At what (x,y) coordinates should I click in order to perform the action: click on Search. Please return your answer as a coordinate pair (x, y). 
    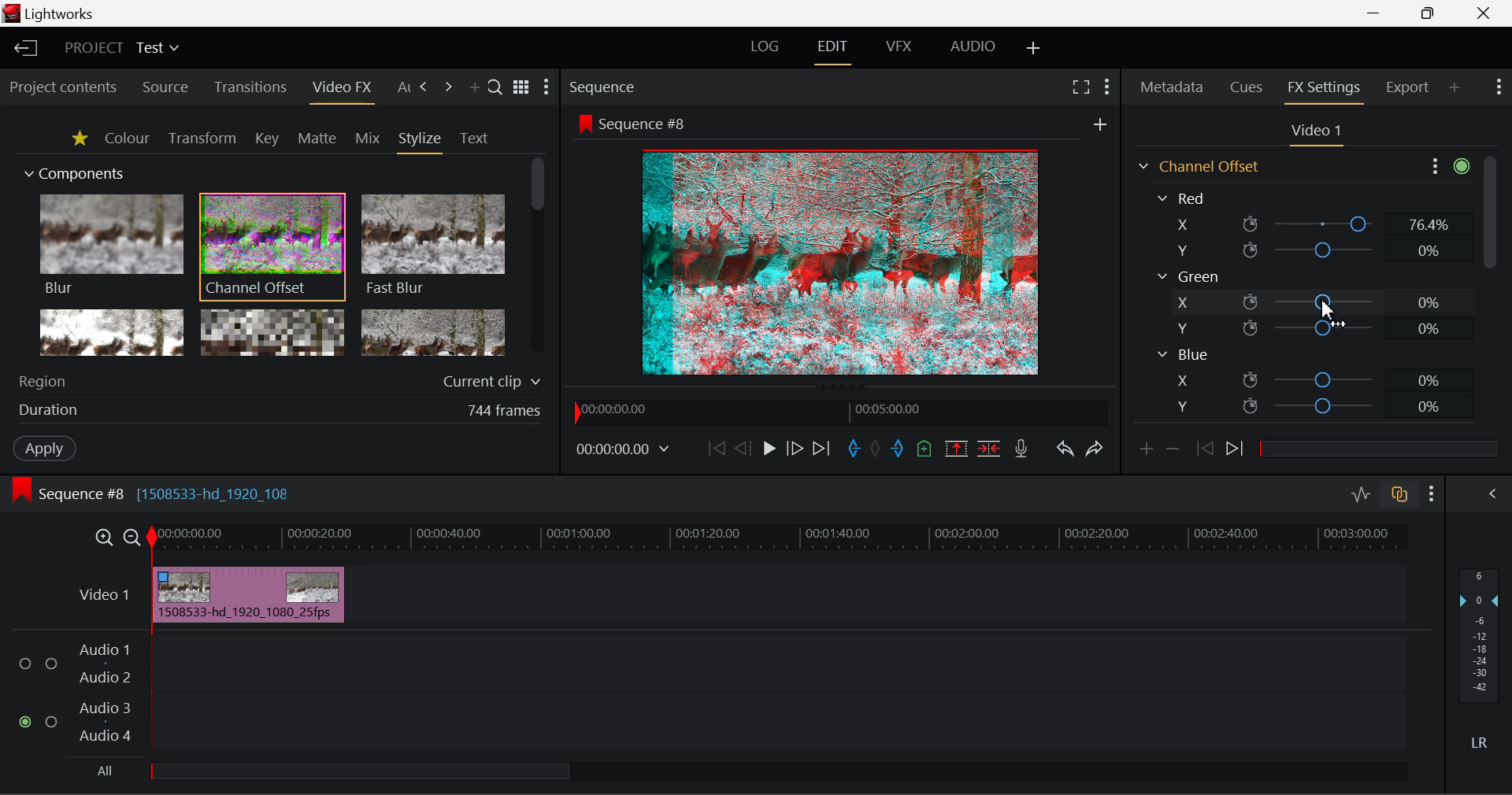
    Looking at the image, I should click on (495, 87).